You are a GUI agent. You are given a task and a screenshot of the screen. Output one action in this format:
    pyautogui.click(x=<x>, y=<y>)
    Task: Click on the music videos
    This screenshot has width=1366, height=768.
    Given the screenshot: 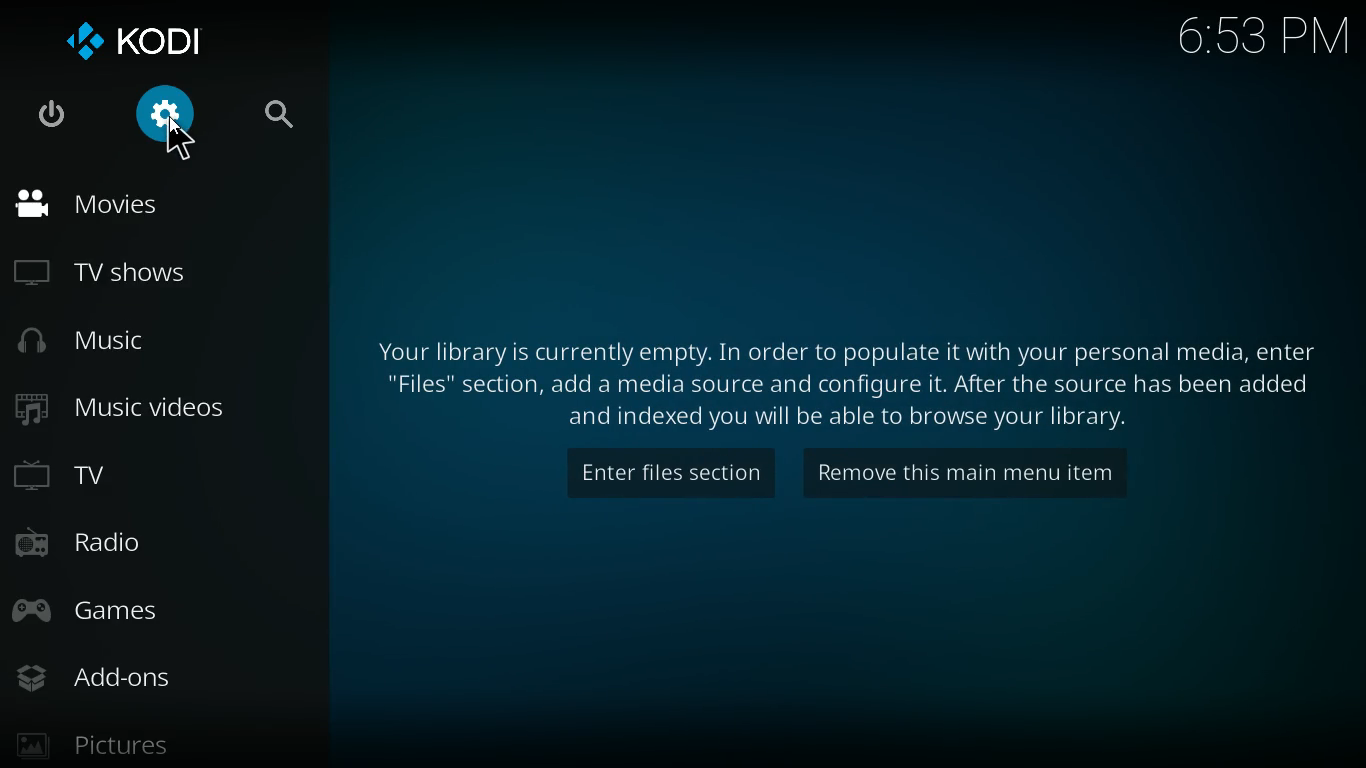 What is the action you would take?
    pyautogui.click(x=135, y=411)
    